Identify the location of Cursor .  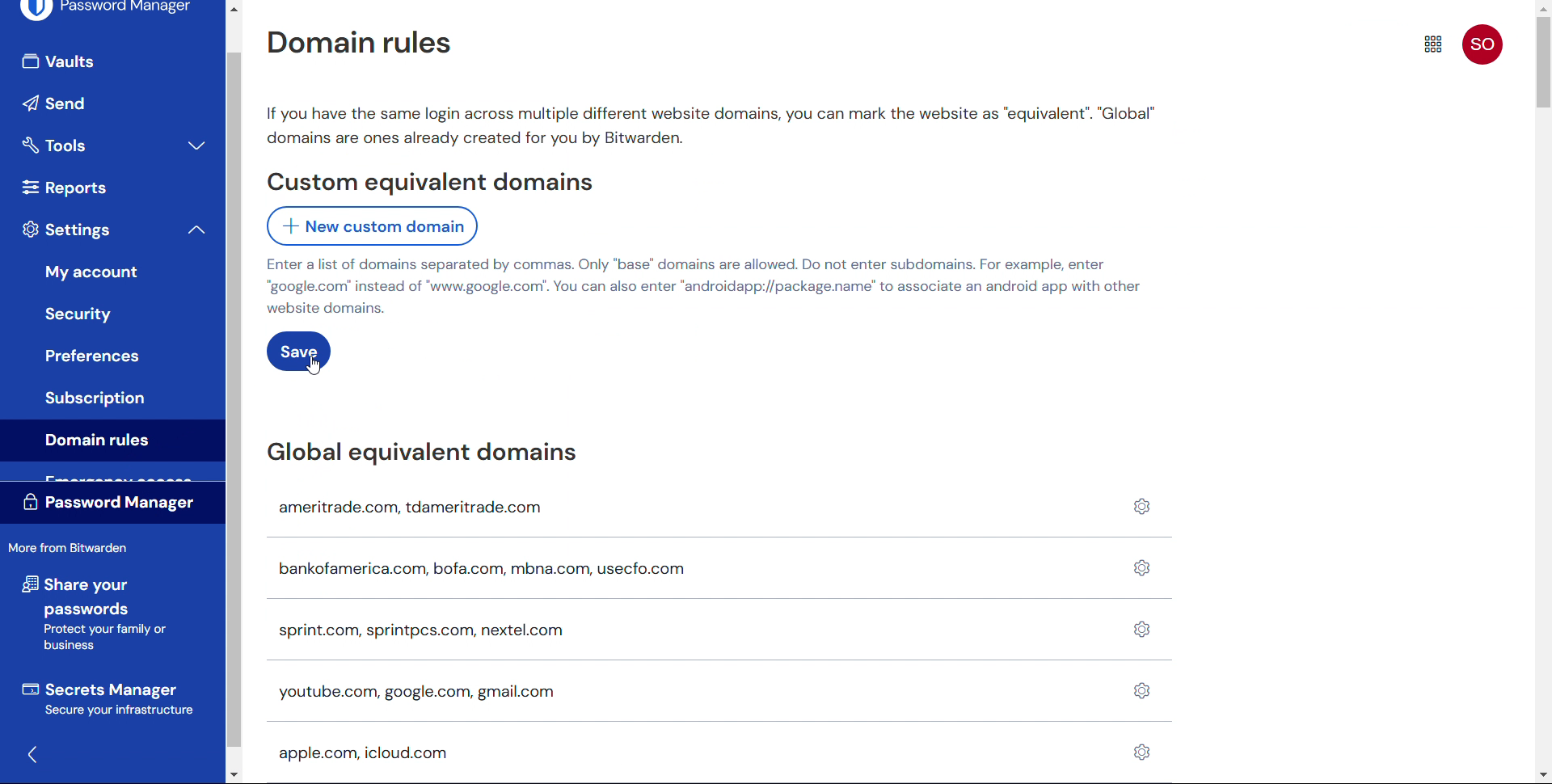
(313, 366).